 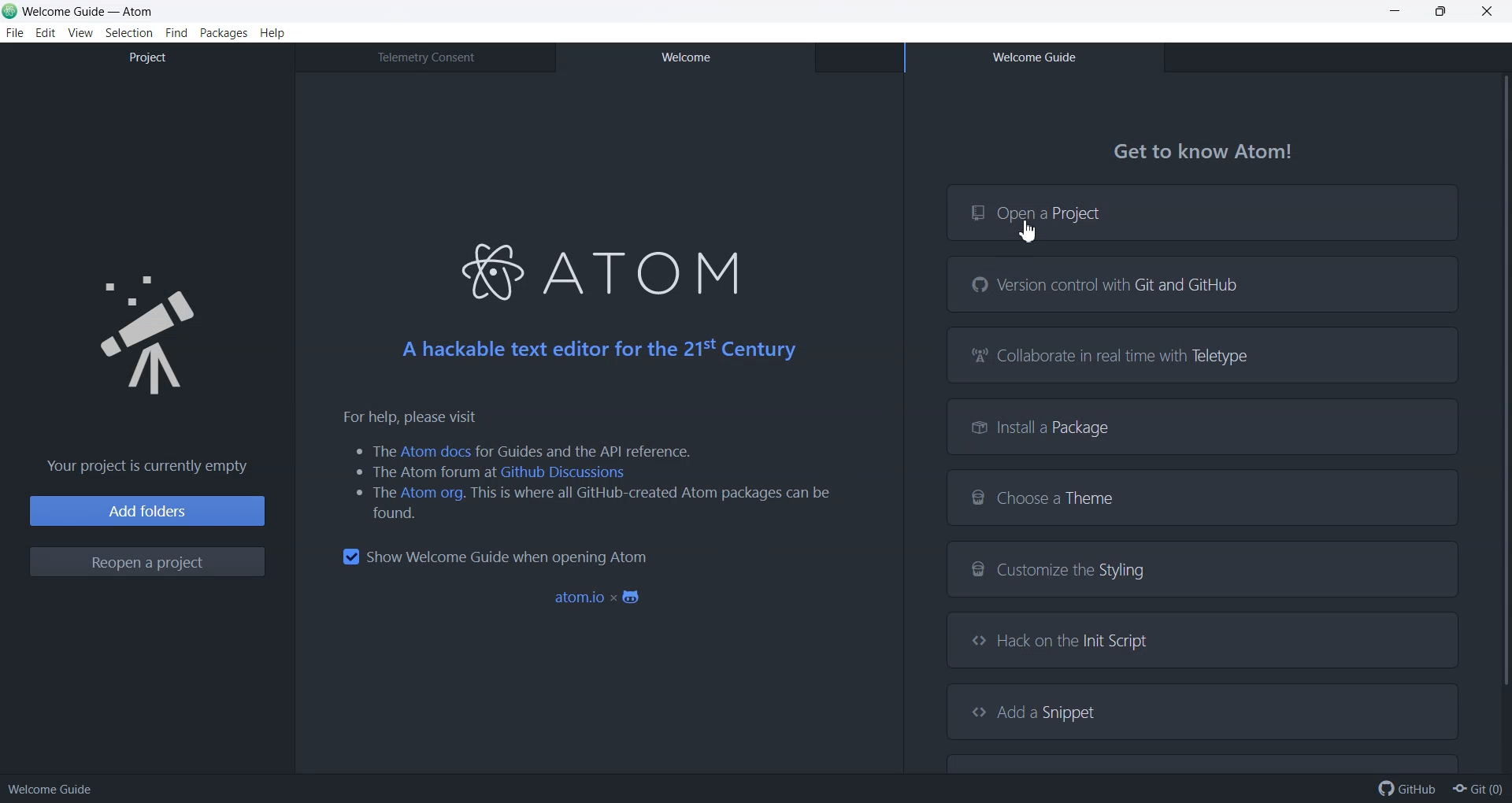 What do you see at coordinates (1203, 353) in the screenshot?
I see `Collaborate in real time with Teletype` at bounding box center [1203, 353].